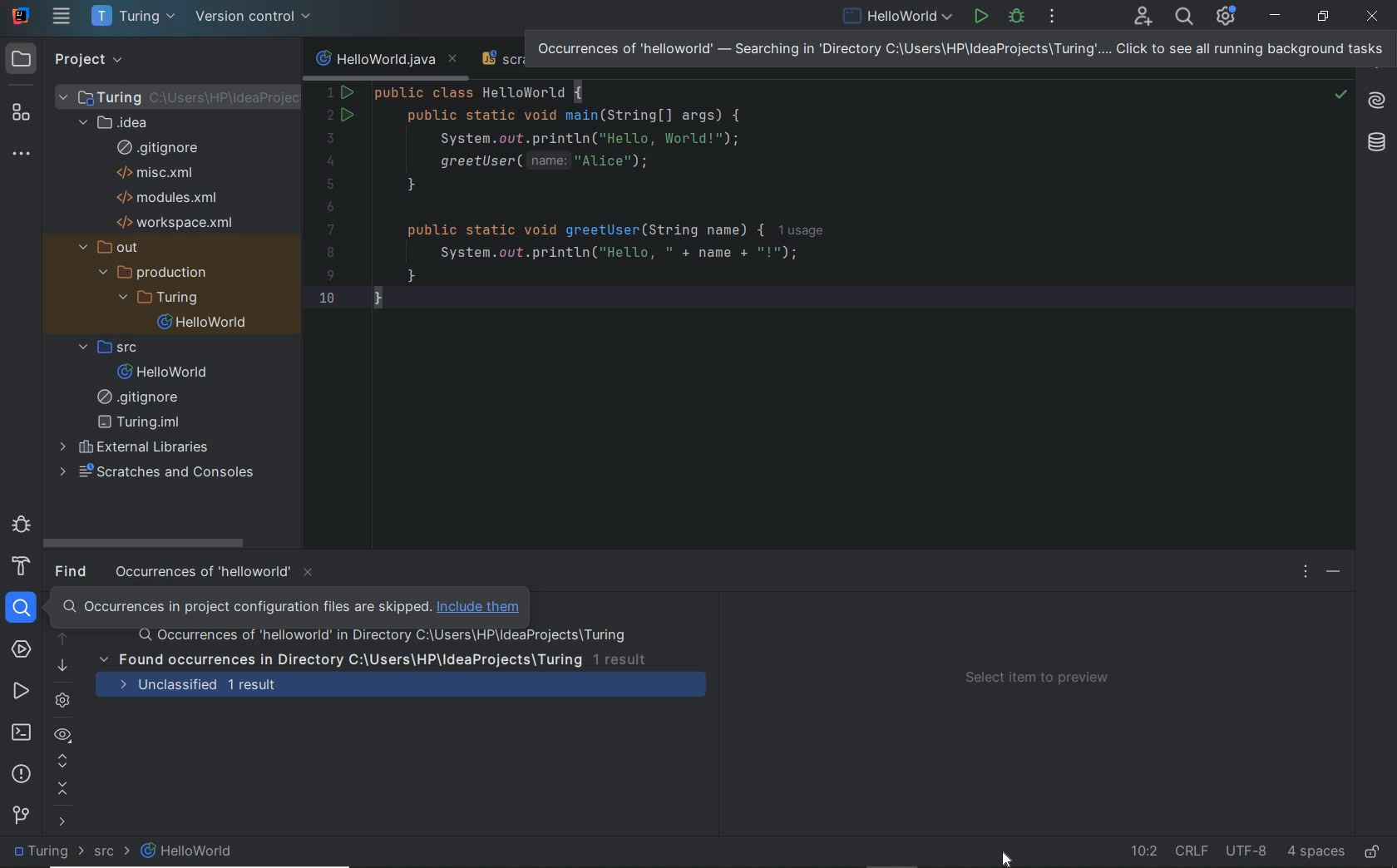  I want to click on version control, so click(19, 816).